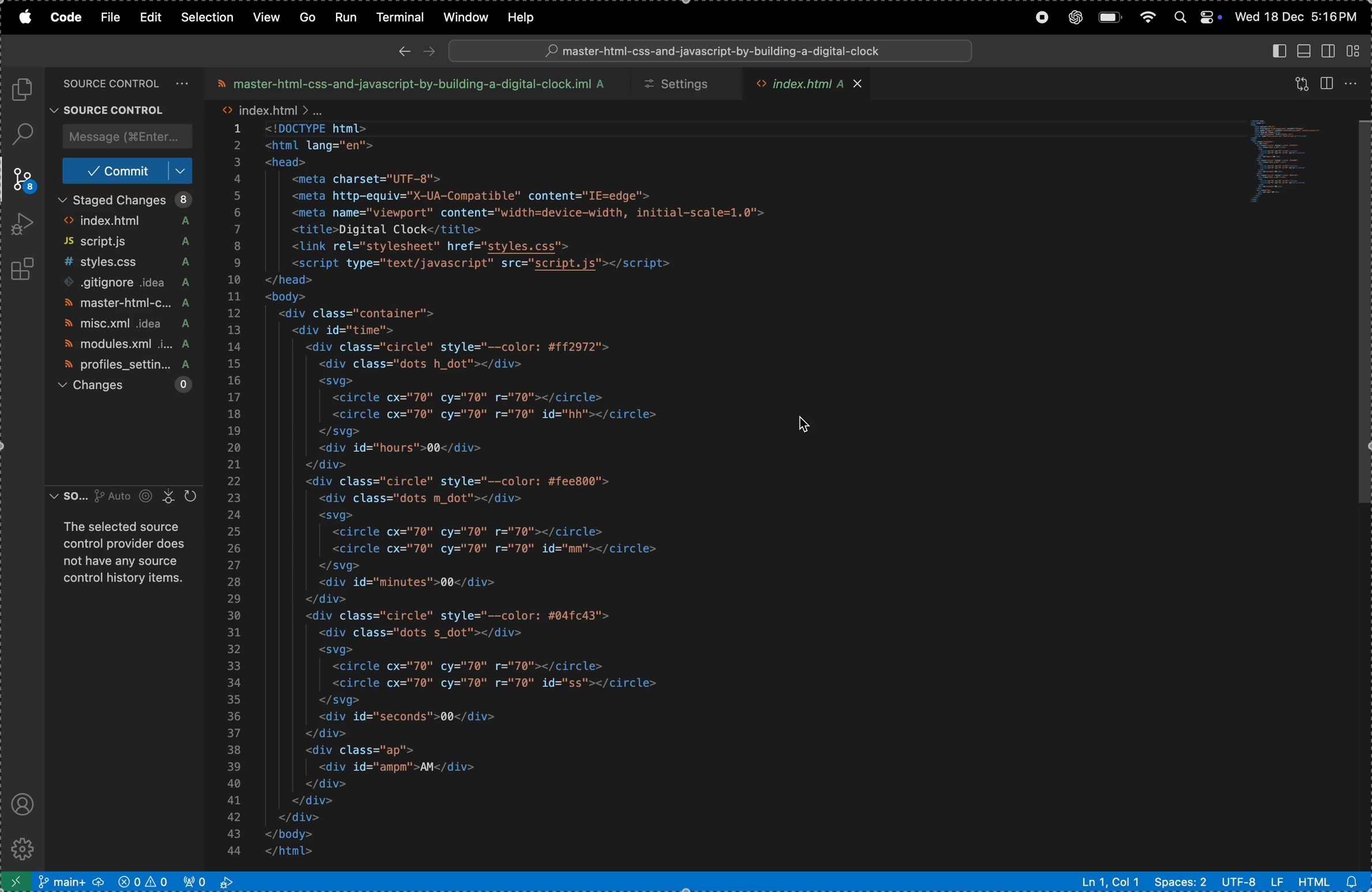 Image resolution: width=1372 pixels, height=892 pixels. I want to click on Source control, so click(114, 108).